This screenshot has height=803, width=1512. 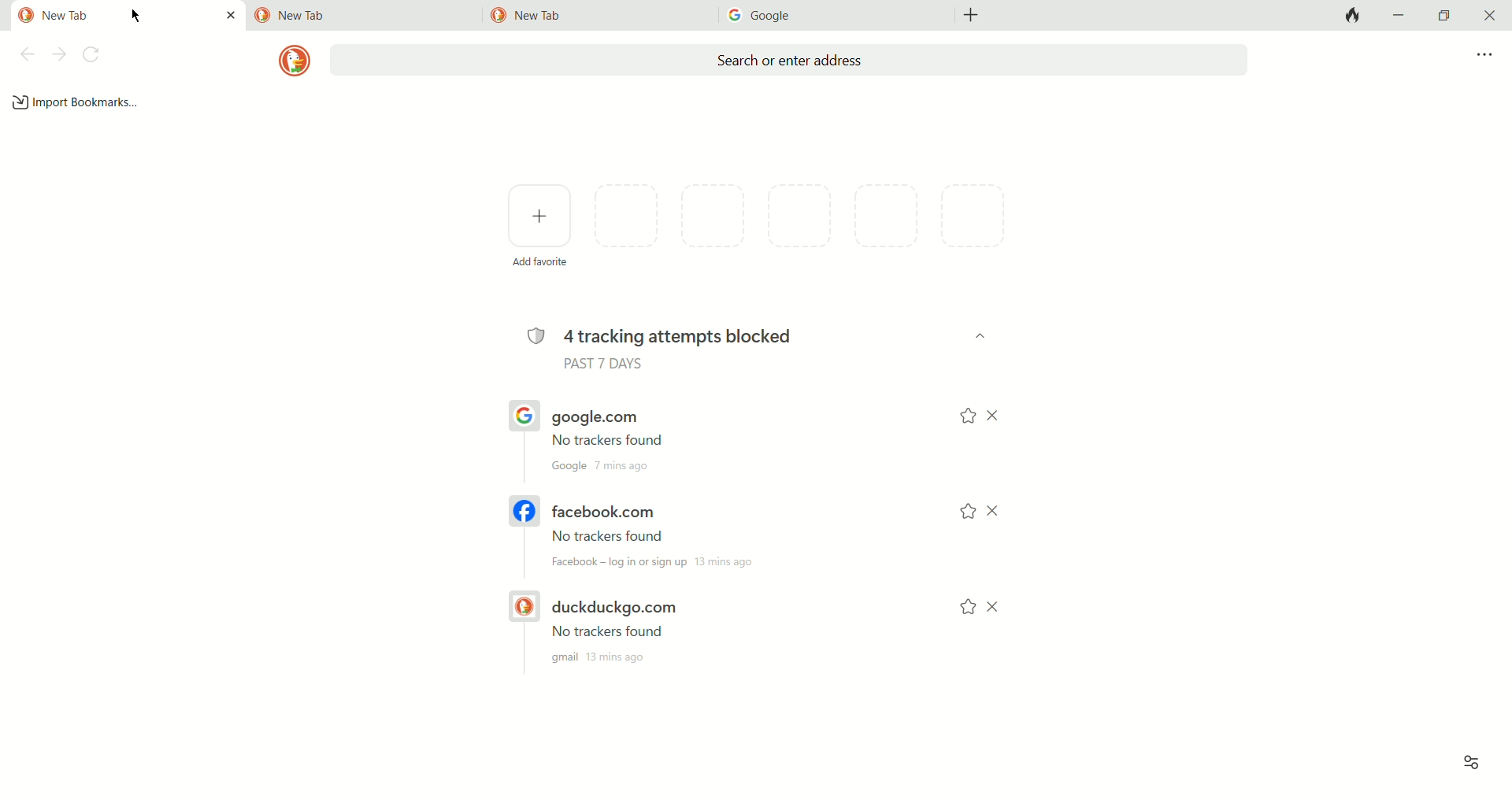 What do you see at coordinates (1353, 16) in the screenshot?
I see `close tabs and clear data` at bounding box center [1353, 16].